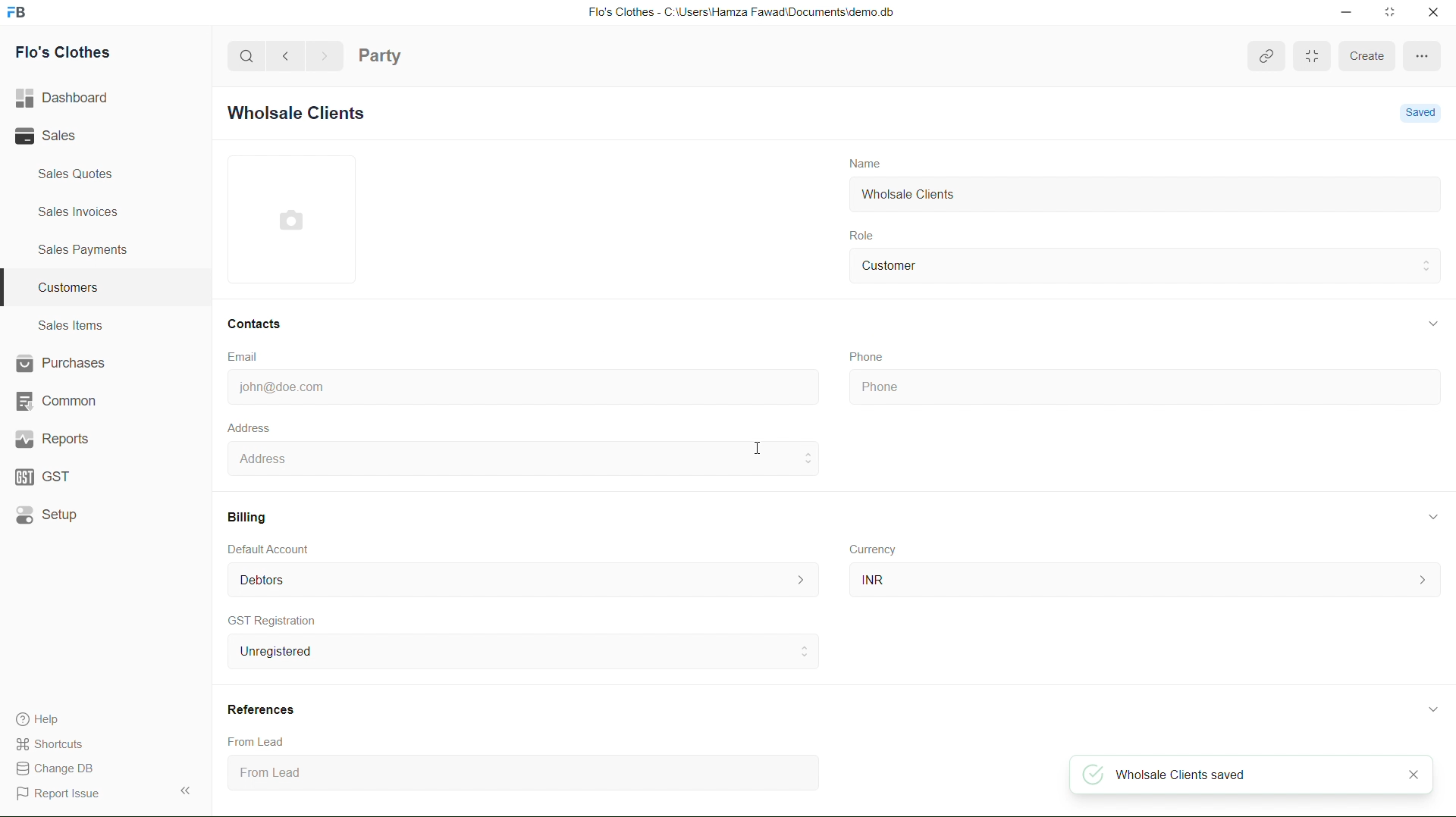  Describe the element at coordinates (58, 794) in the screenshot. I see `Report Issue` at that location.